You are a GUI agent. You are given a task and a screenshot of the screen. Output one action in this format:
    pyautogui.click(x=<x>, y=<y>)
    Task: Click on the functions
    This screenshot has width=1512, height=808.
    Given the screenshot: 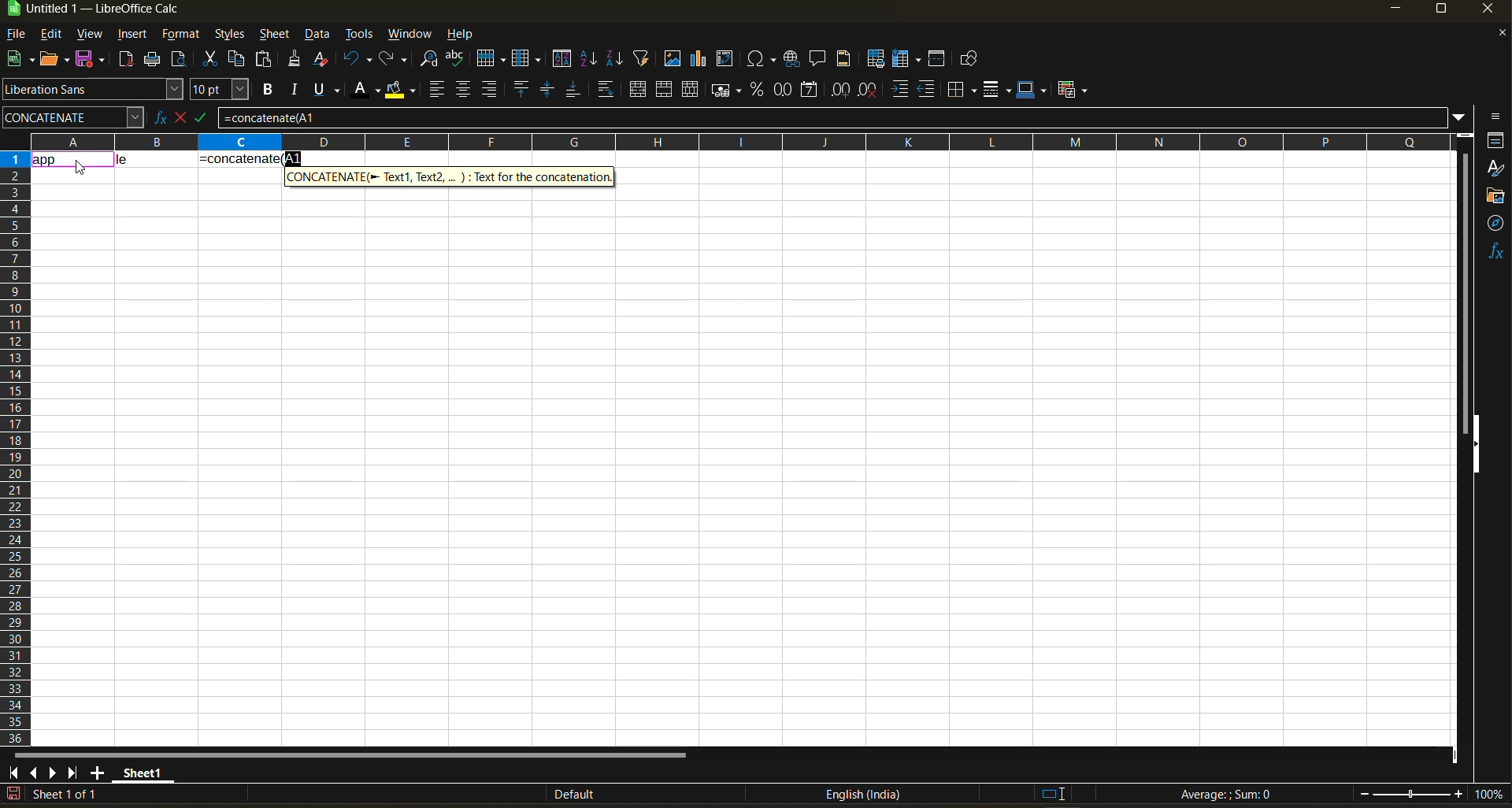 What is the action you would take?
    pyautogui.click(x=1495, y=251)
    